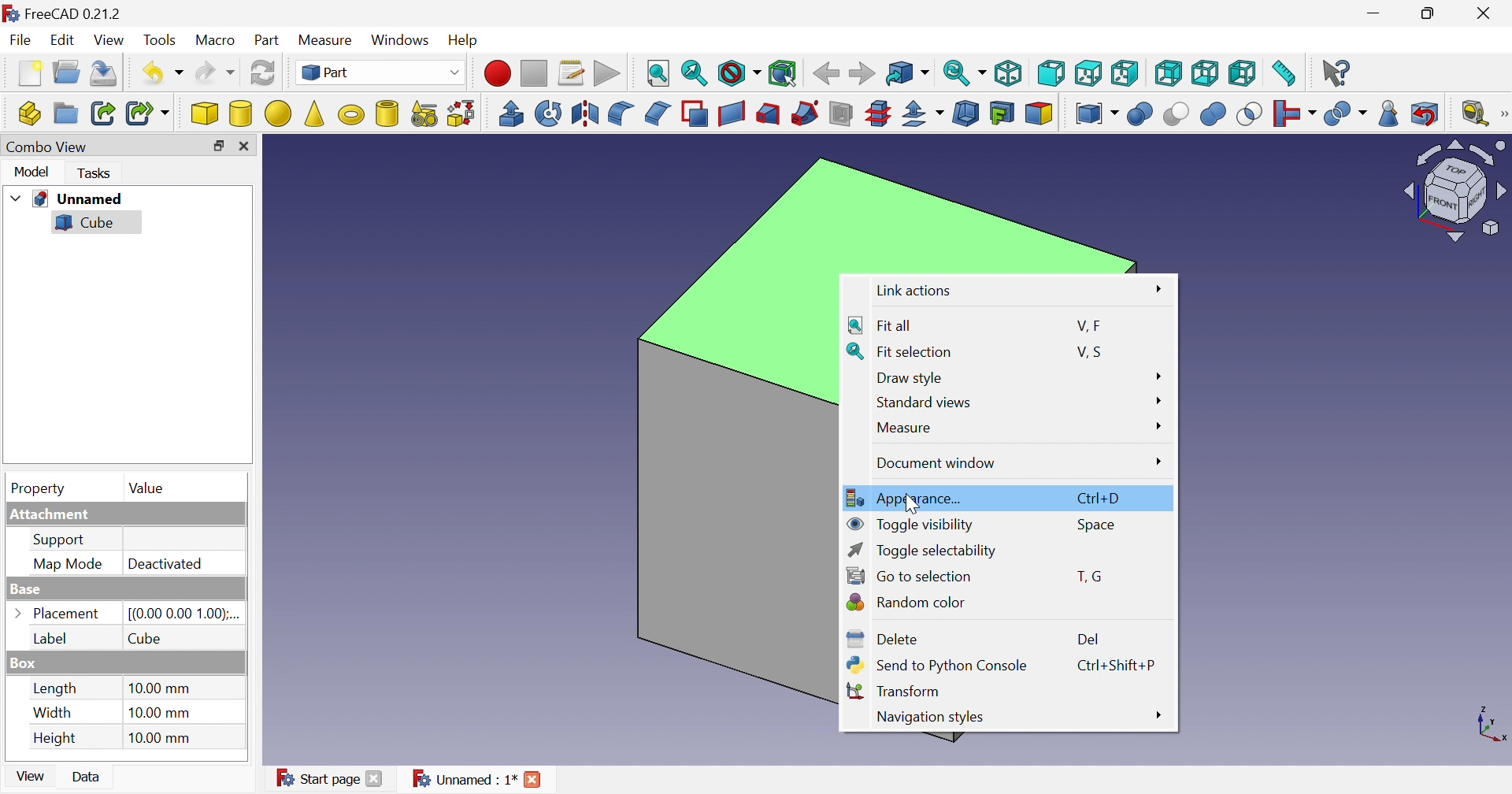  What do you see at coordinates (1007, 72) in the screenshot?
I see `Isometric` at bounding box center [1007, 72].